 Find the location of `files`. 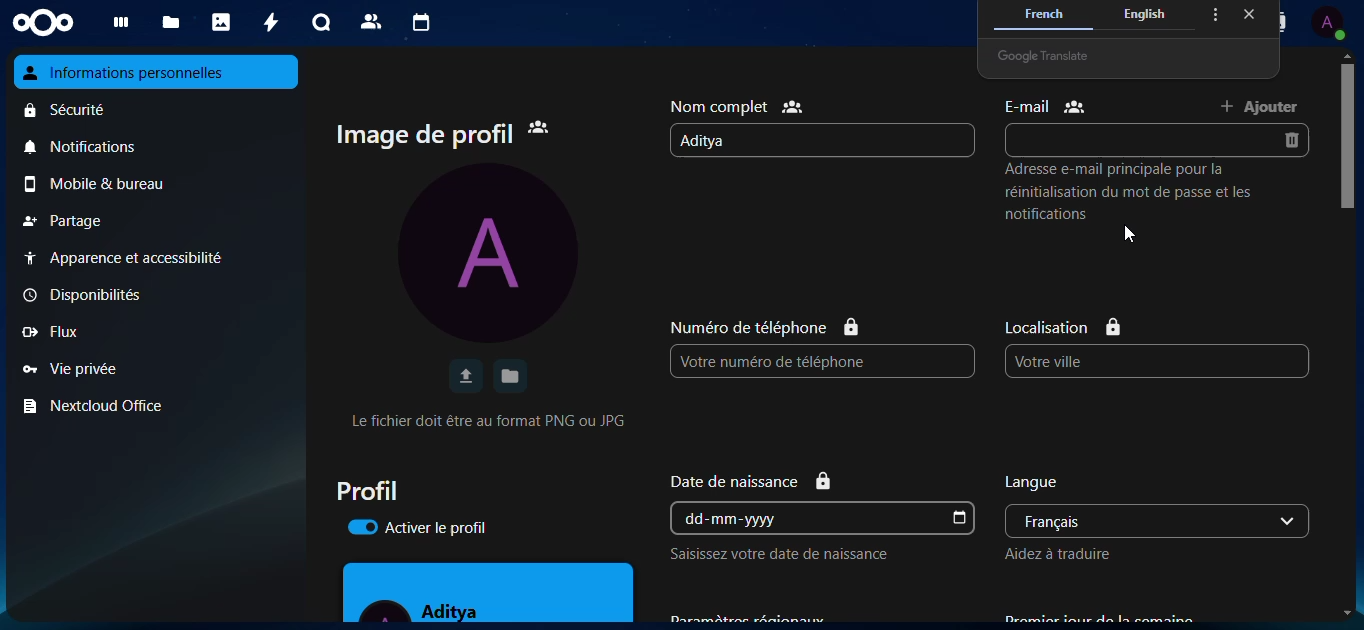

files is located at coordinates (172, 23).